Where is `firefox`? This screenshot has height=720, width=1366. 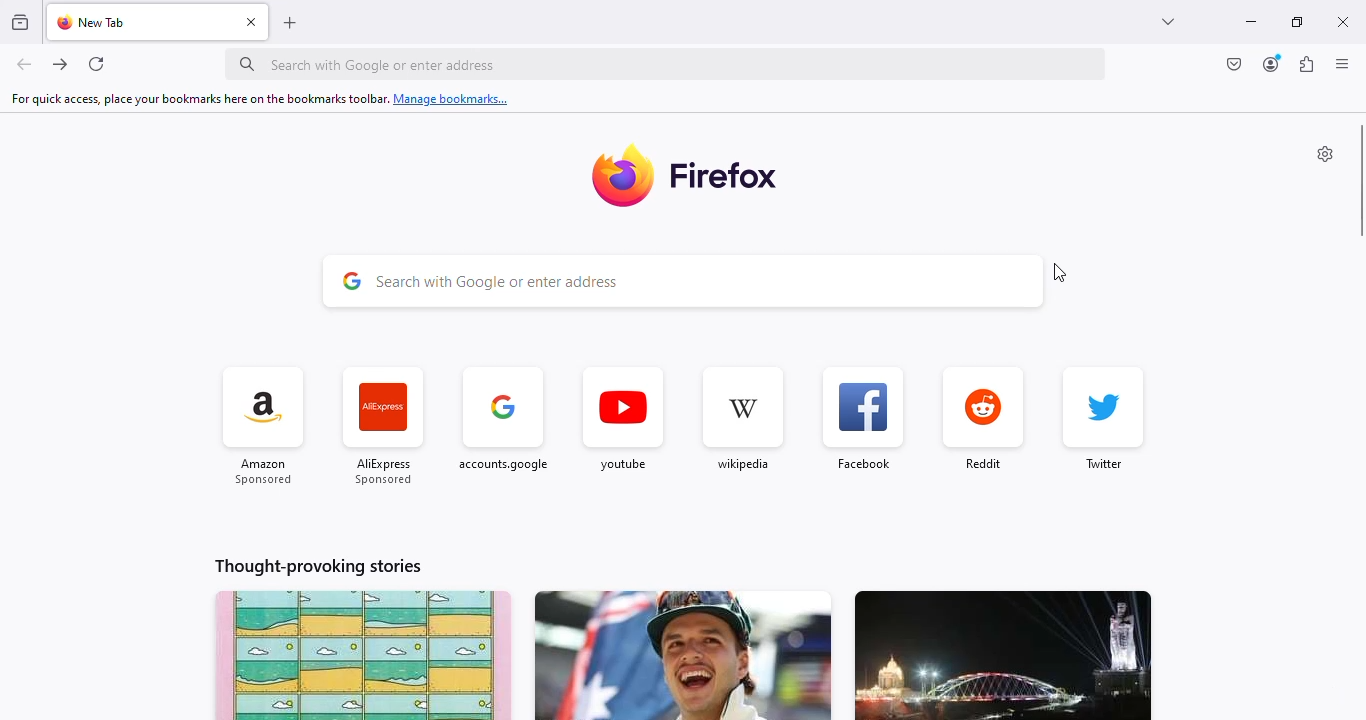 firefox is located at coordinates (725, 174).